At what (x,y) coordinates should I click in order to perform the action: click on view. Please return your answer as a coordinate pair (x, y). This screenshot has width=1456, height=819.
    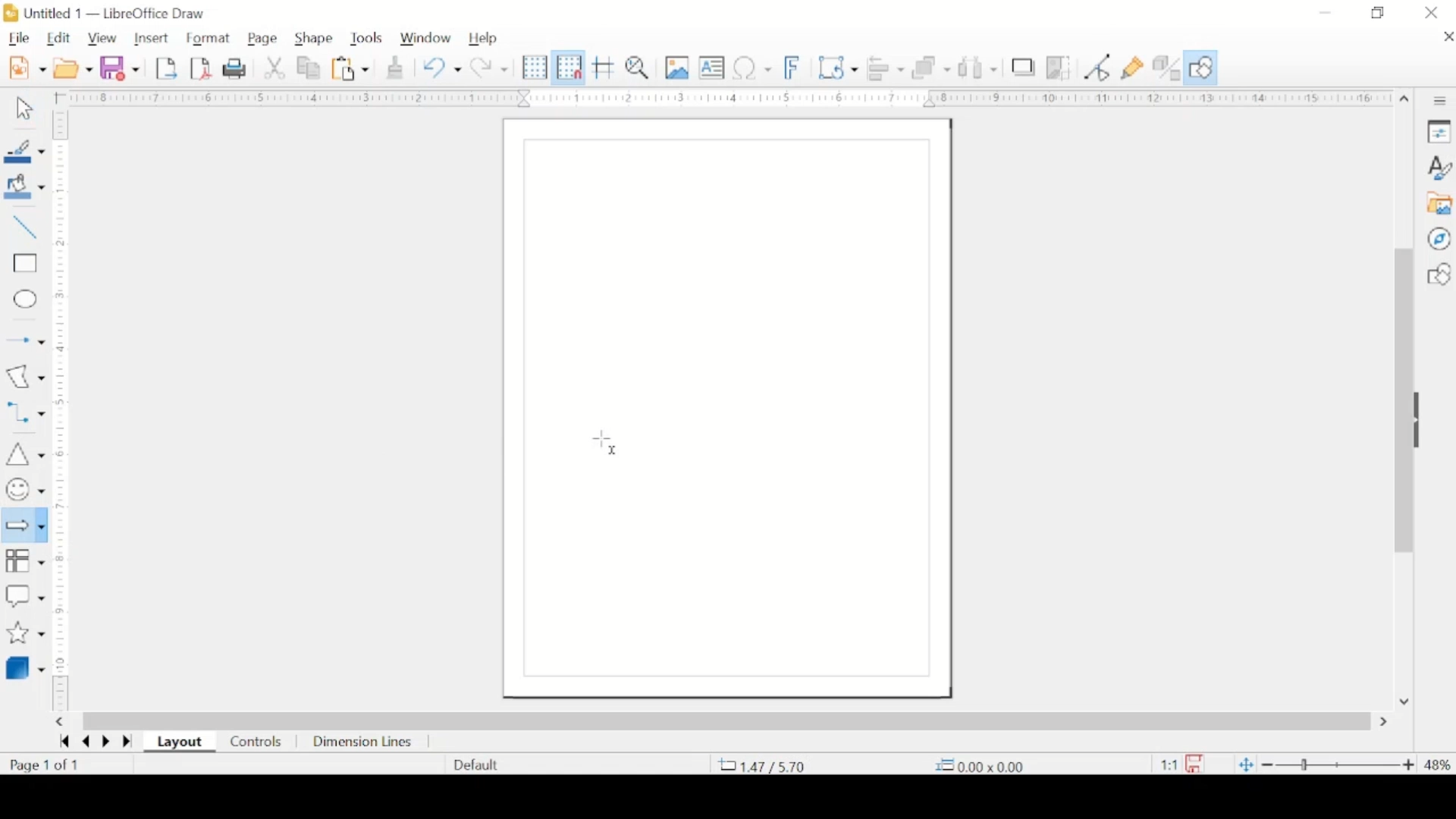
    Looking at the image, I should click on (101, 39).